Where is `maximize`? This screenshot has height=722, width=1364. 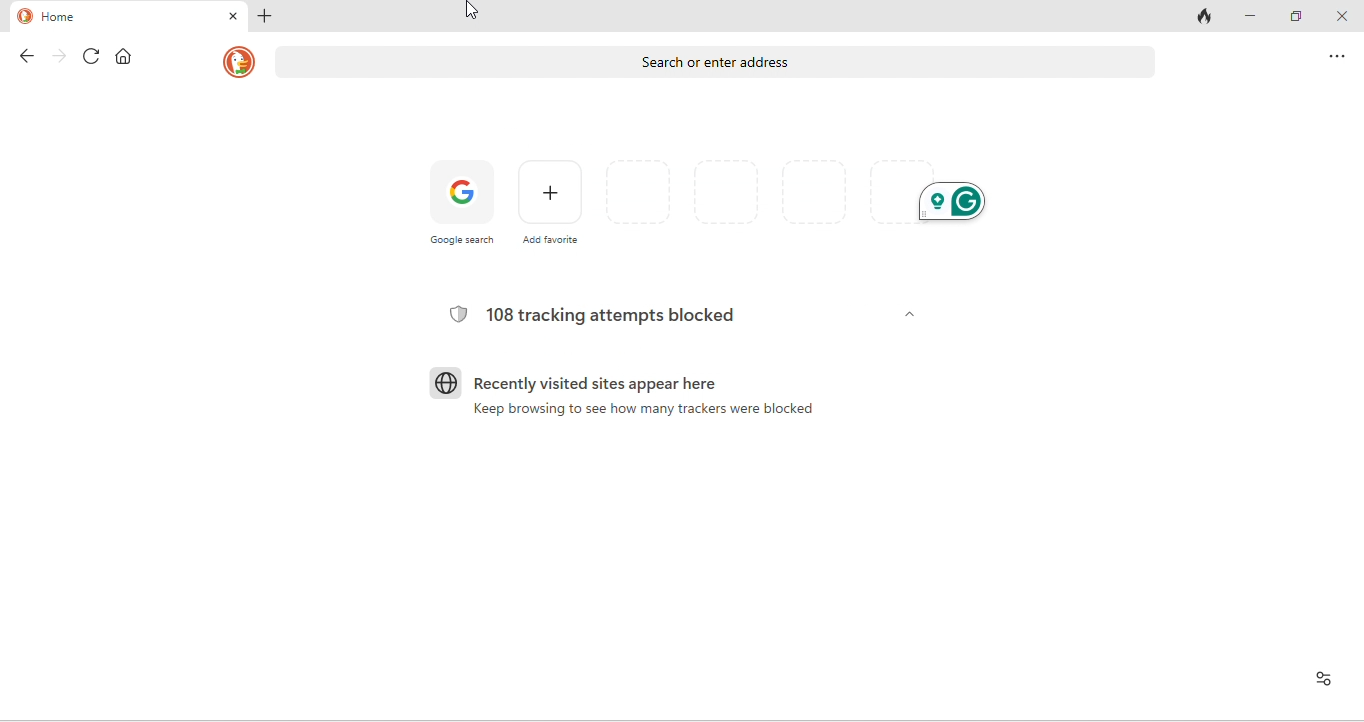
maximize is located at coordinates (1293, 16).